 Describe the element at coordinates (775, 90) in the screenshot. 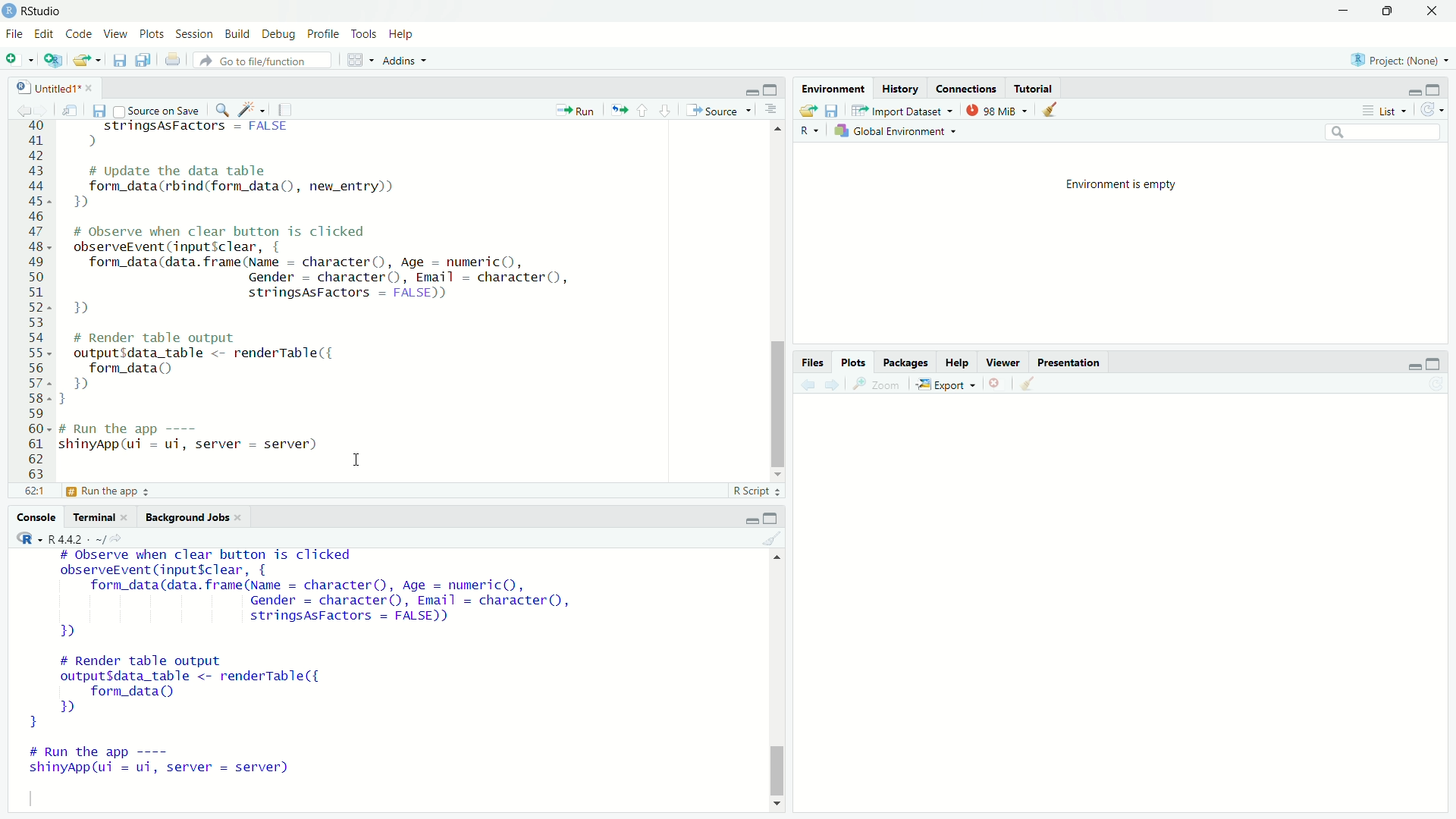

I see `maximize` at that location.